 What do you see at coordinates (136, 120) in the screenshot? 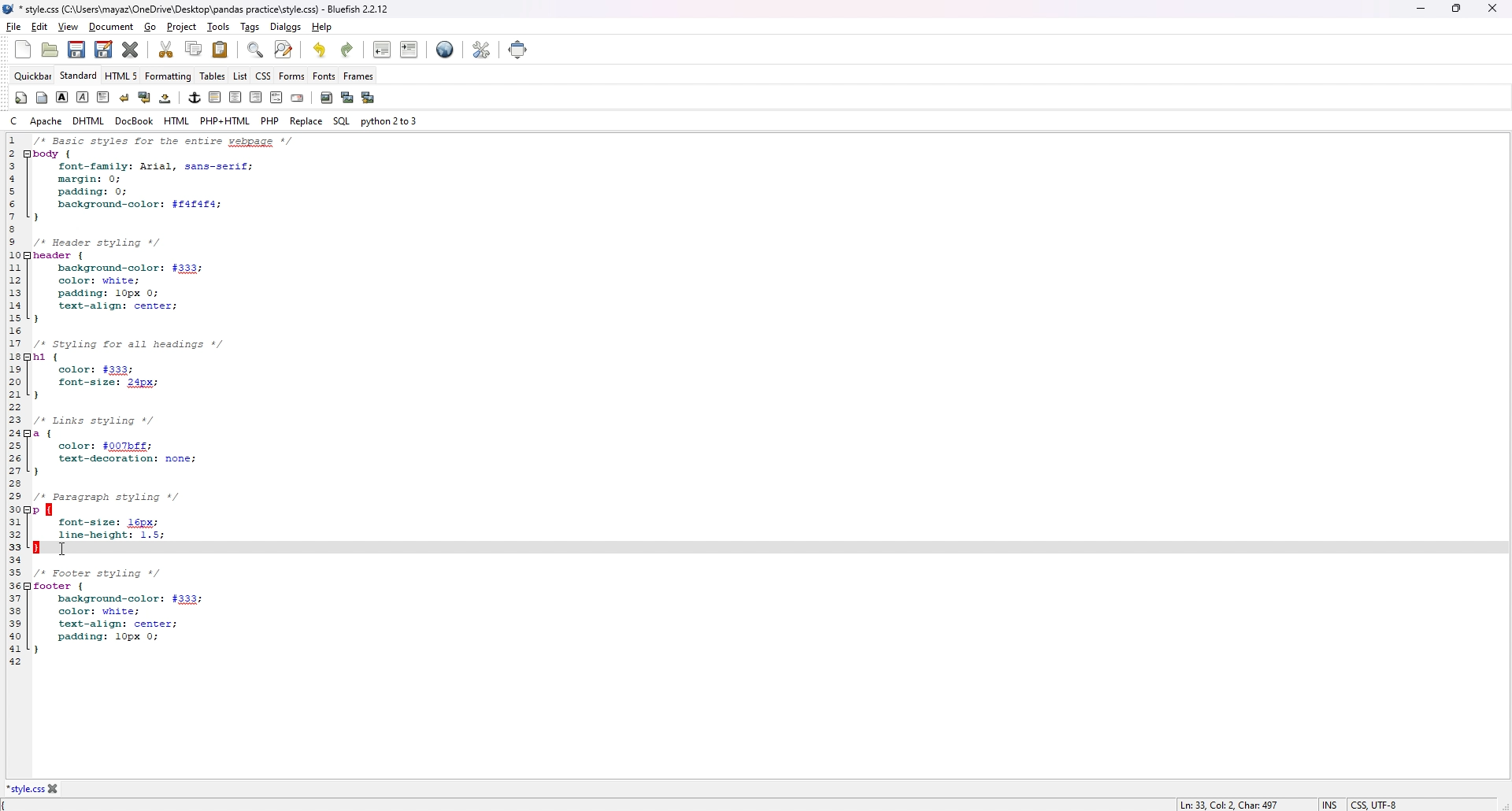
I see `docbook` at bounding box center [136, 120].